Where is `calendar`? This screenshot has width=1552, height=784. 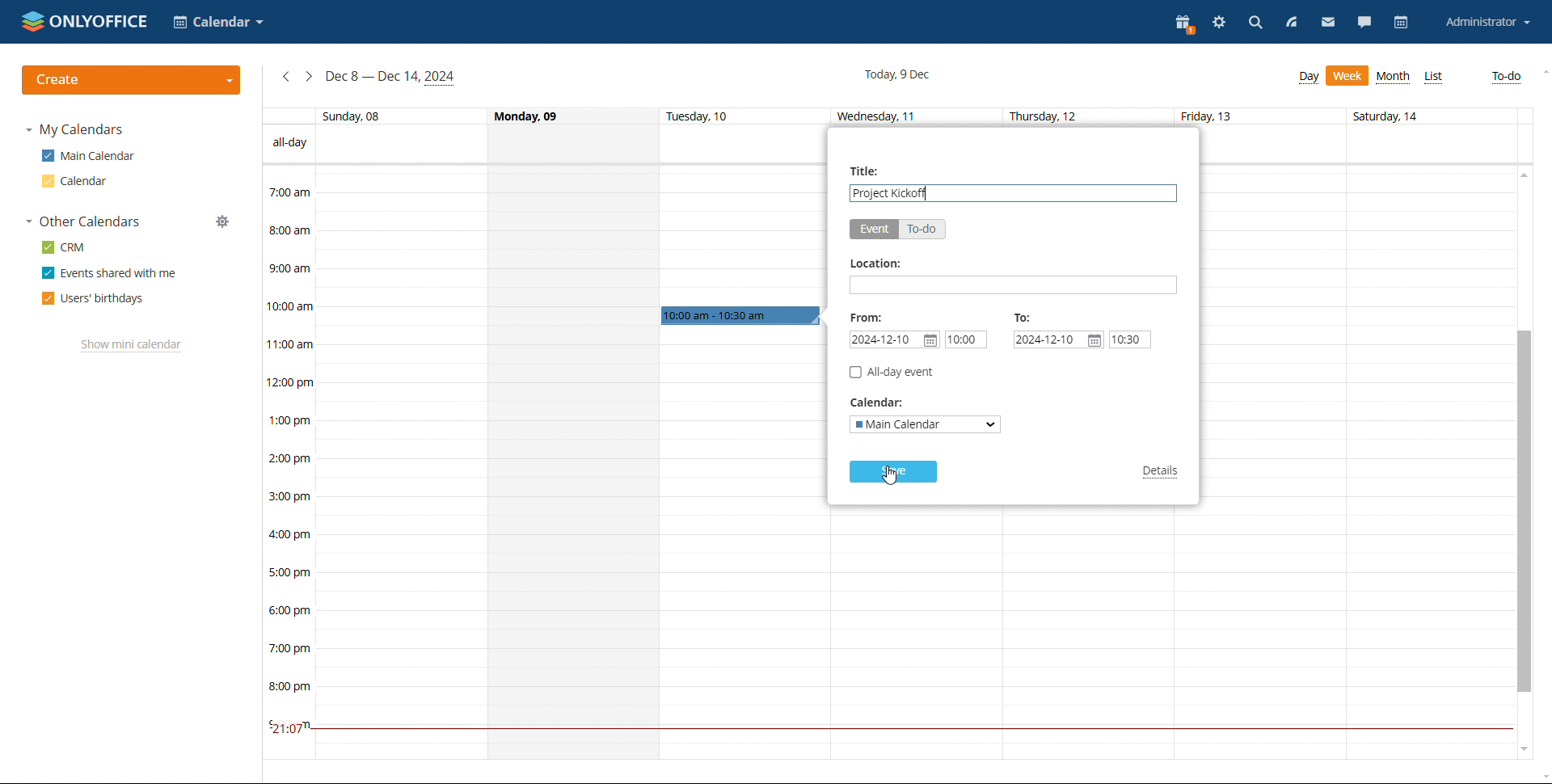
calendar is located at coordinates (1401, 23).